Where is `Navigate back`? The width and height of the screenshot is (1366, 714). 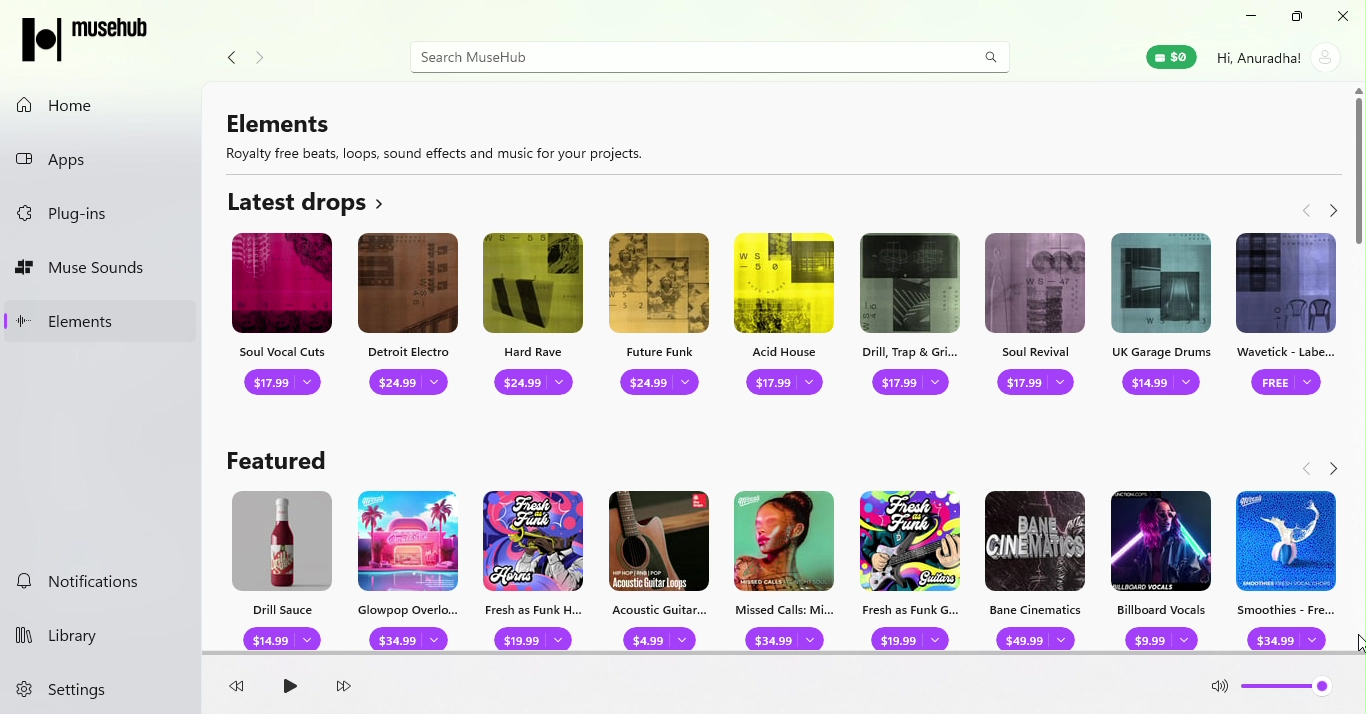 Navigate back is located at coordinates (1308, 470).